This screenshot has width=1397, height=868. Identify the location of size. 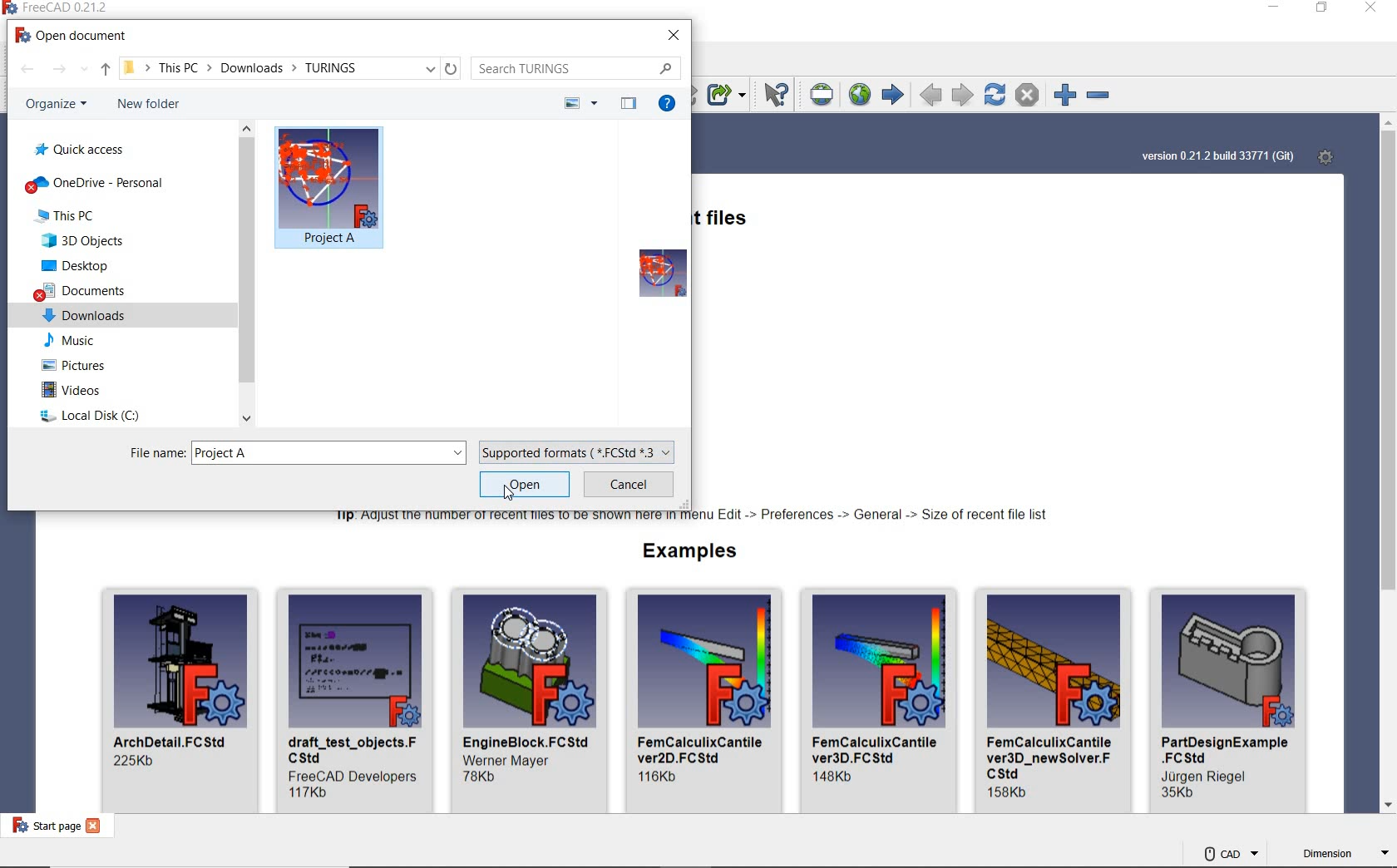
(660, 777).